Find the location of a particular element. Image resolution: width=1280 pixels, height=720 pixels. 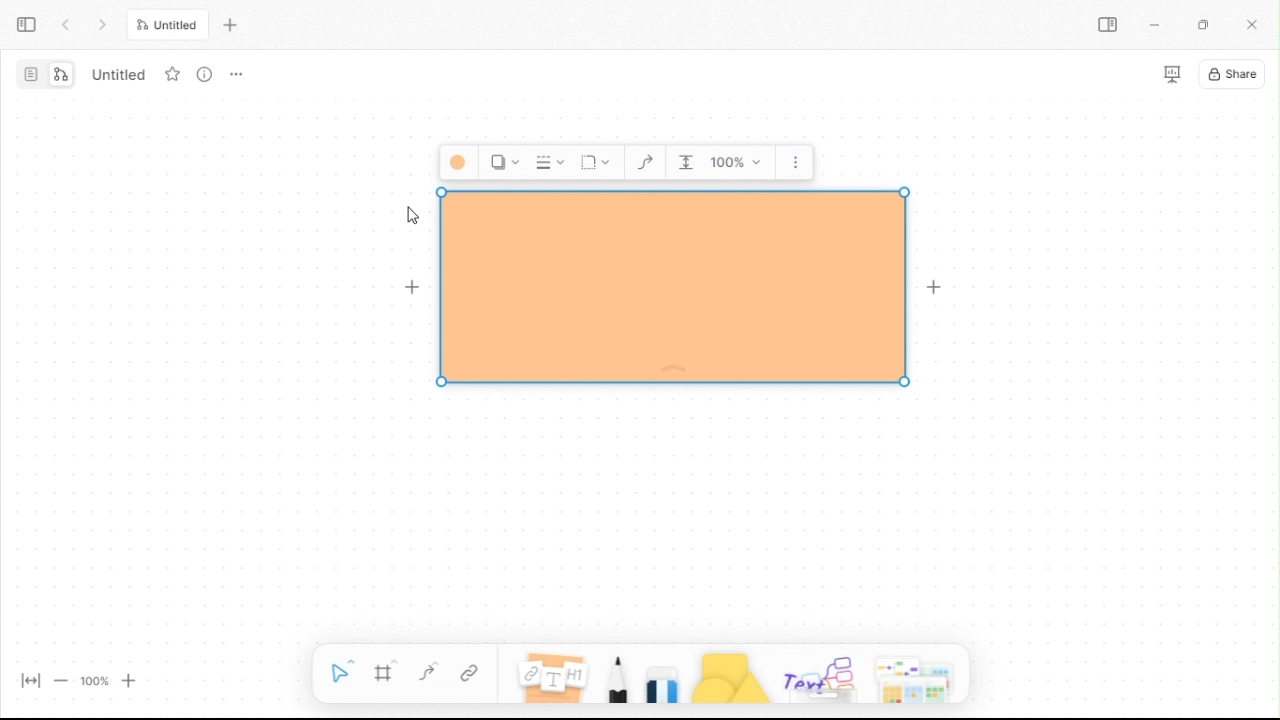

frame is located at coordinates (384, 675).